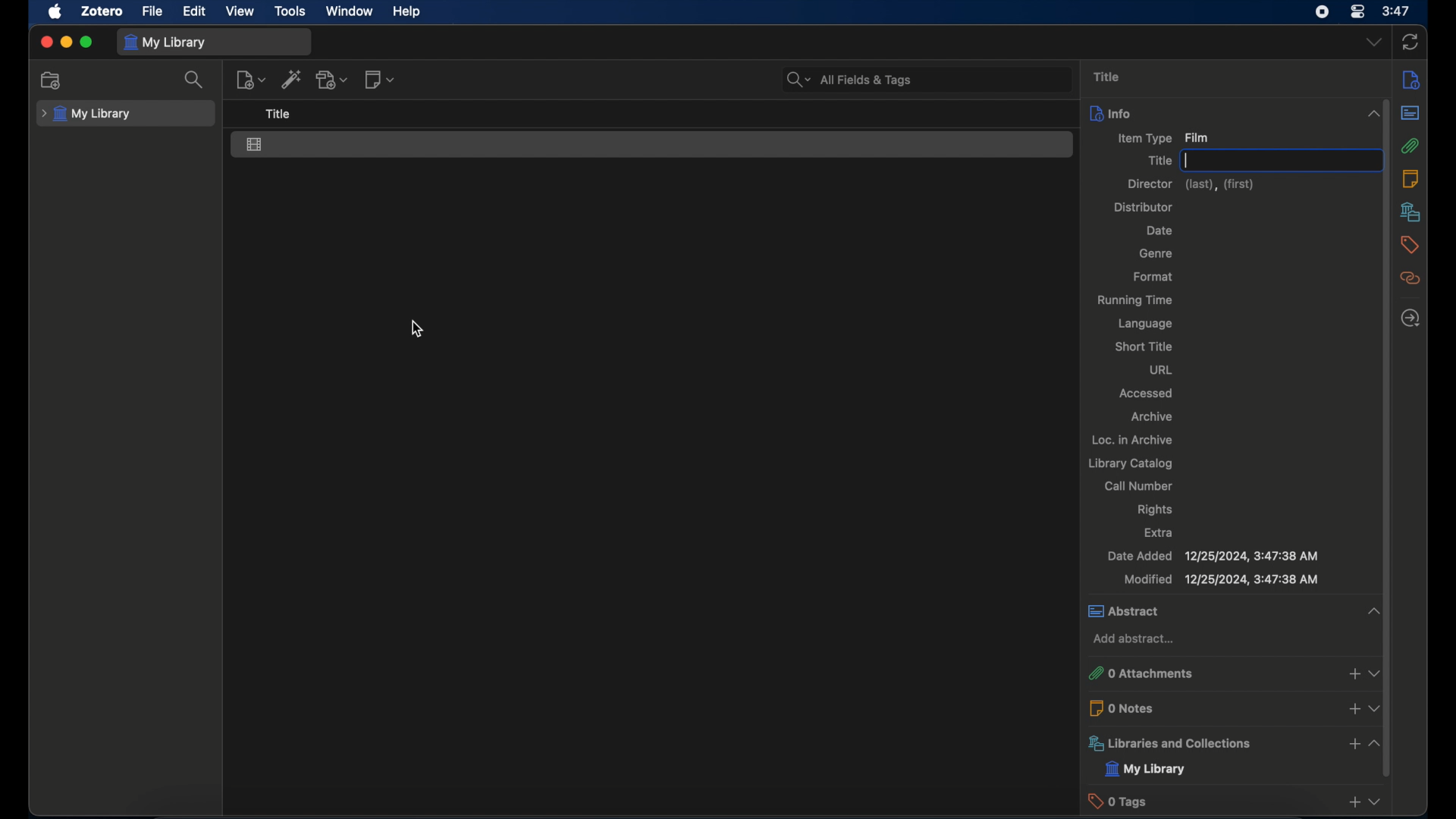 The height and width of the screenshot is (819, 1456). I want to click on notes, so click(1410, 178).